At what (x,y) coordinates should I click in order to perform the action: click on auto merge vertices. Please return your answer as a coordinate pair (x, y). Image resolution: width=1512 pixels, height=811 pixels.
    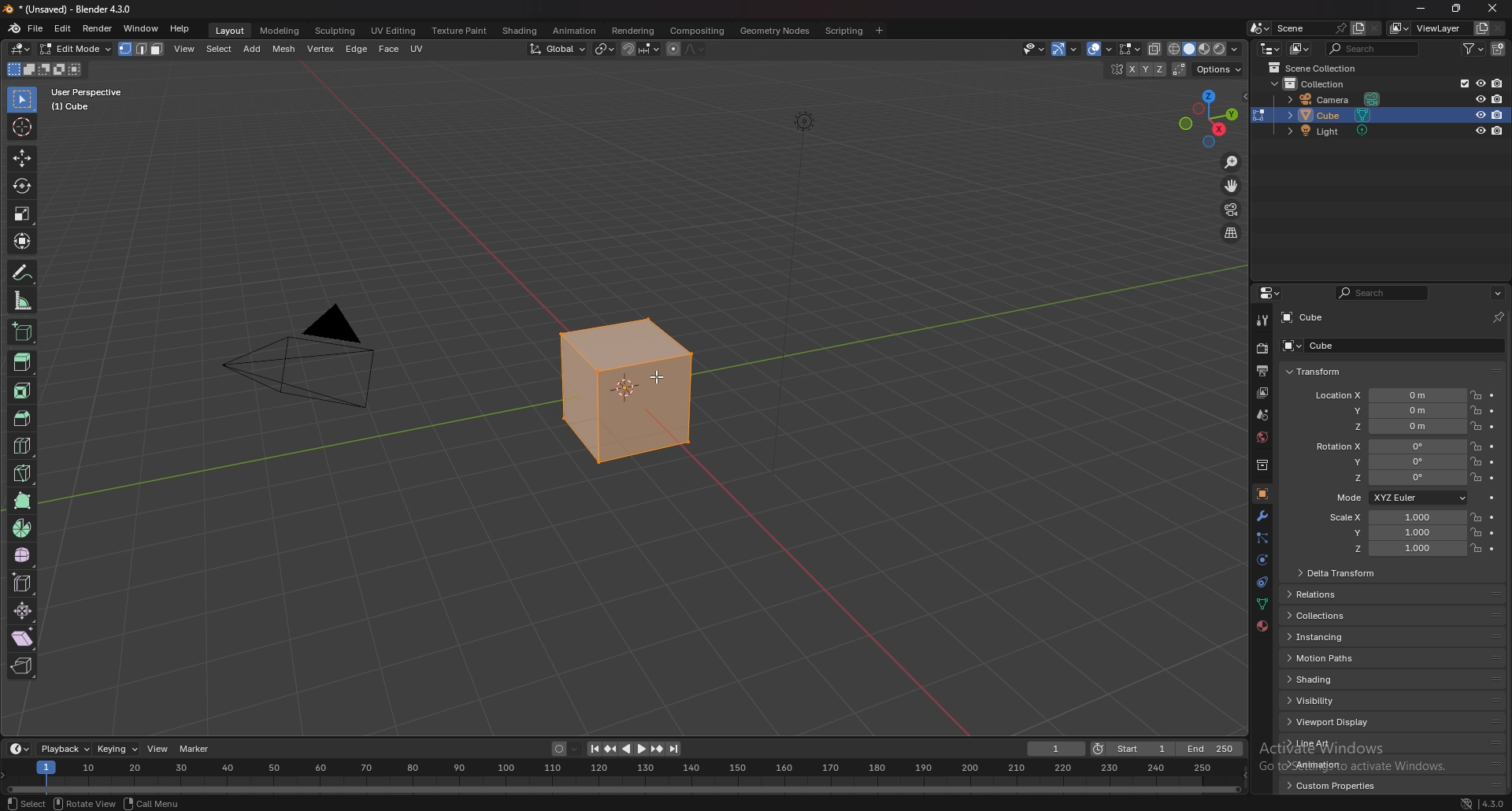
    Looking at the image, I should click on (1180, 70).